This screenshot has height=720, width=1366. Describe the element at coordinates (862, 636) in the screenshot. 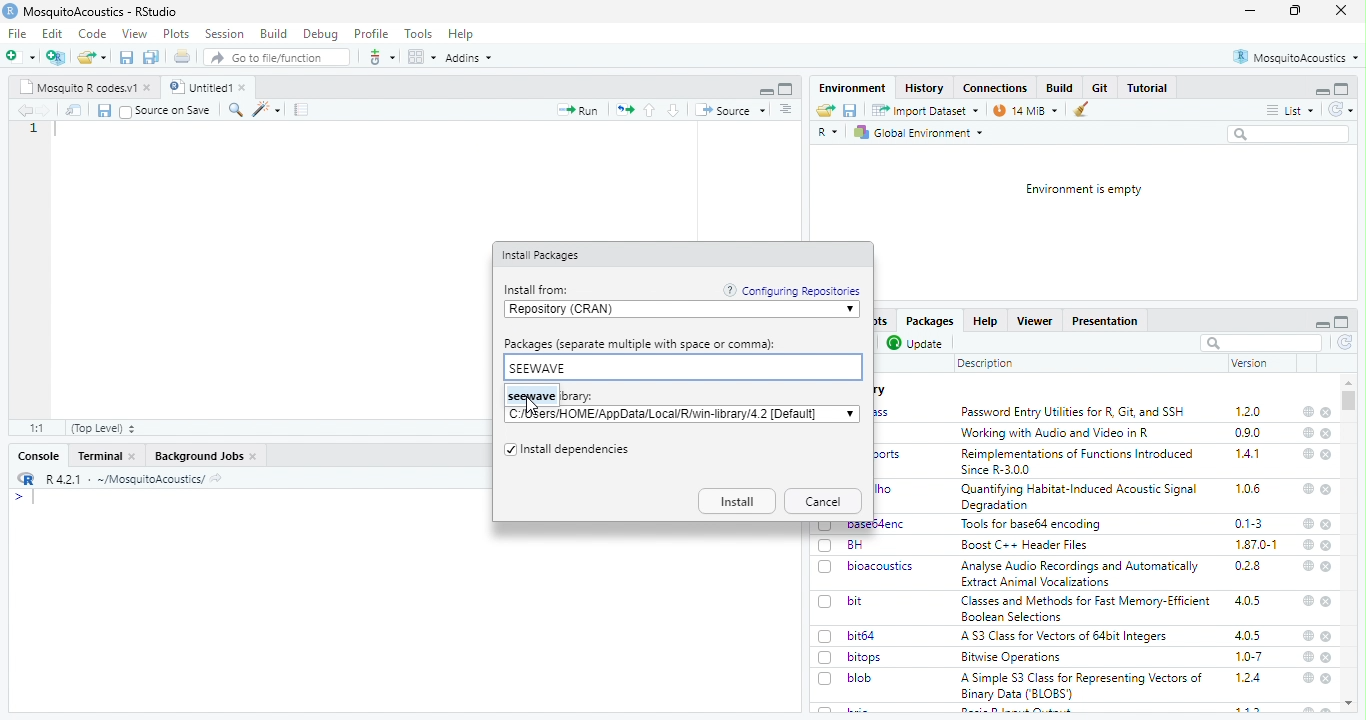

I see `bit64` at that location.